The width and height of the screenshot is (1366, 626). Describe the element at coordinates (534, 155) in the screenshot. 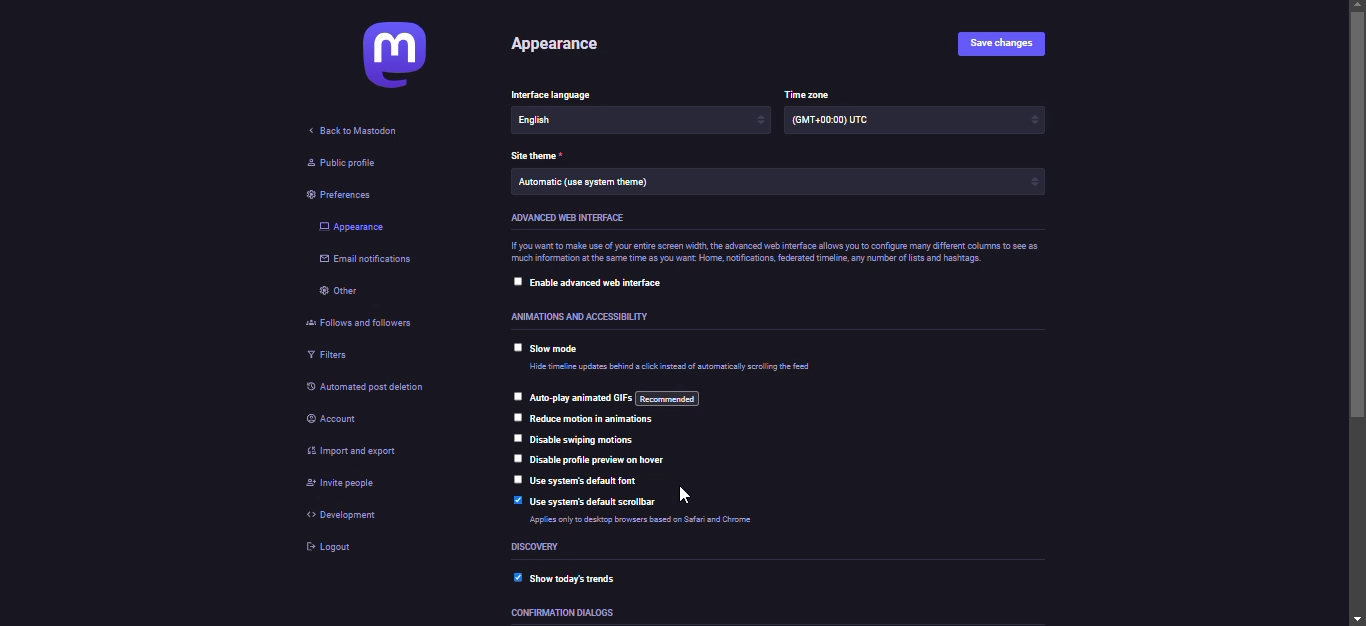

I see `theme` at that location.